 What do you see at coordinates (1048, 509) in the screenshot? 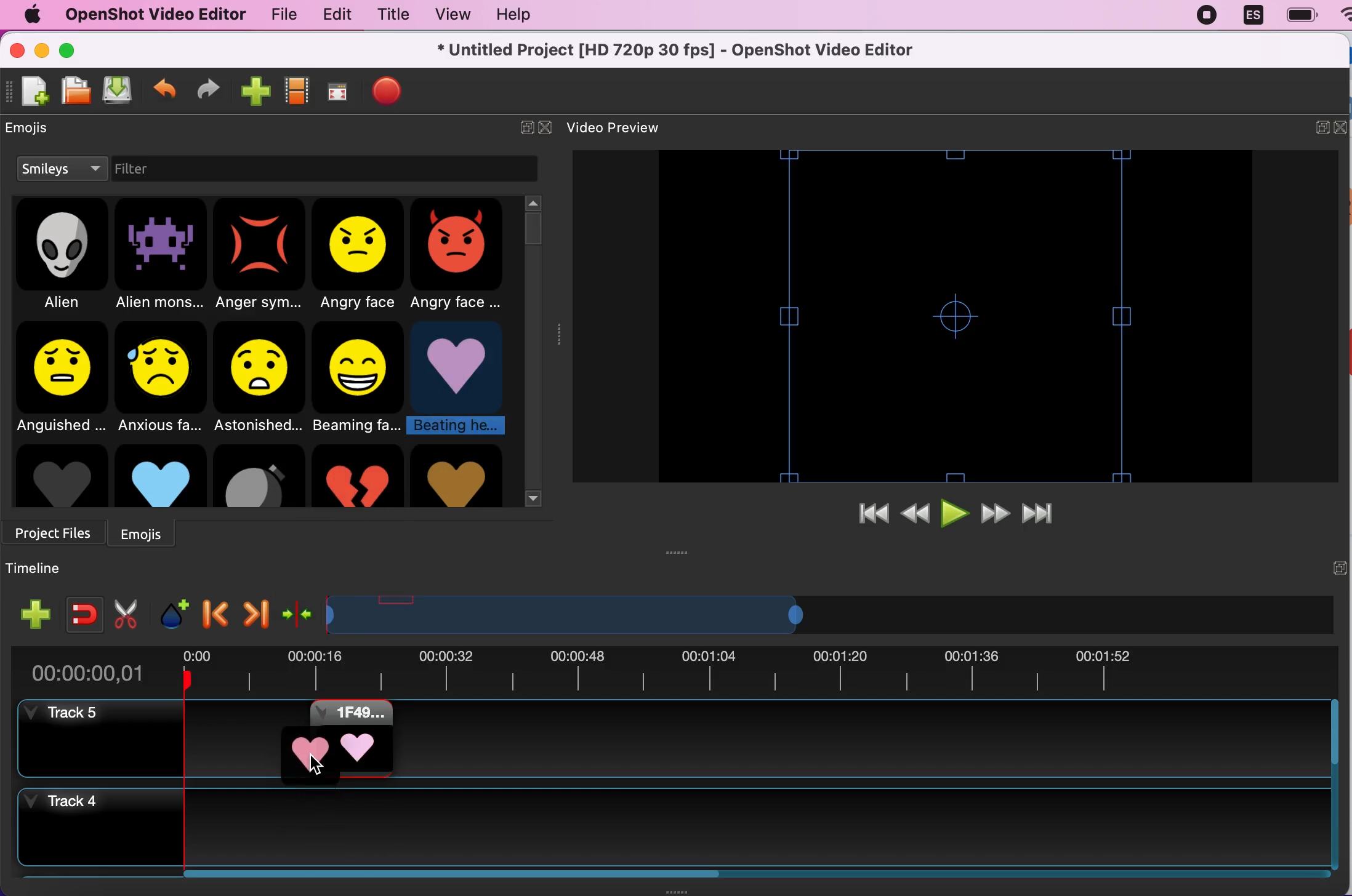
I see `jump to end` at bounding box center [1048, 509].